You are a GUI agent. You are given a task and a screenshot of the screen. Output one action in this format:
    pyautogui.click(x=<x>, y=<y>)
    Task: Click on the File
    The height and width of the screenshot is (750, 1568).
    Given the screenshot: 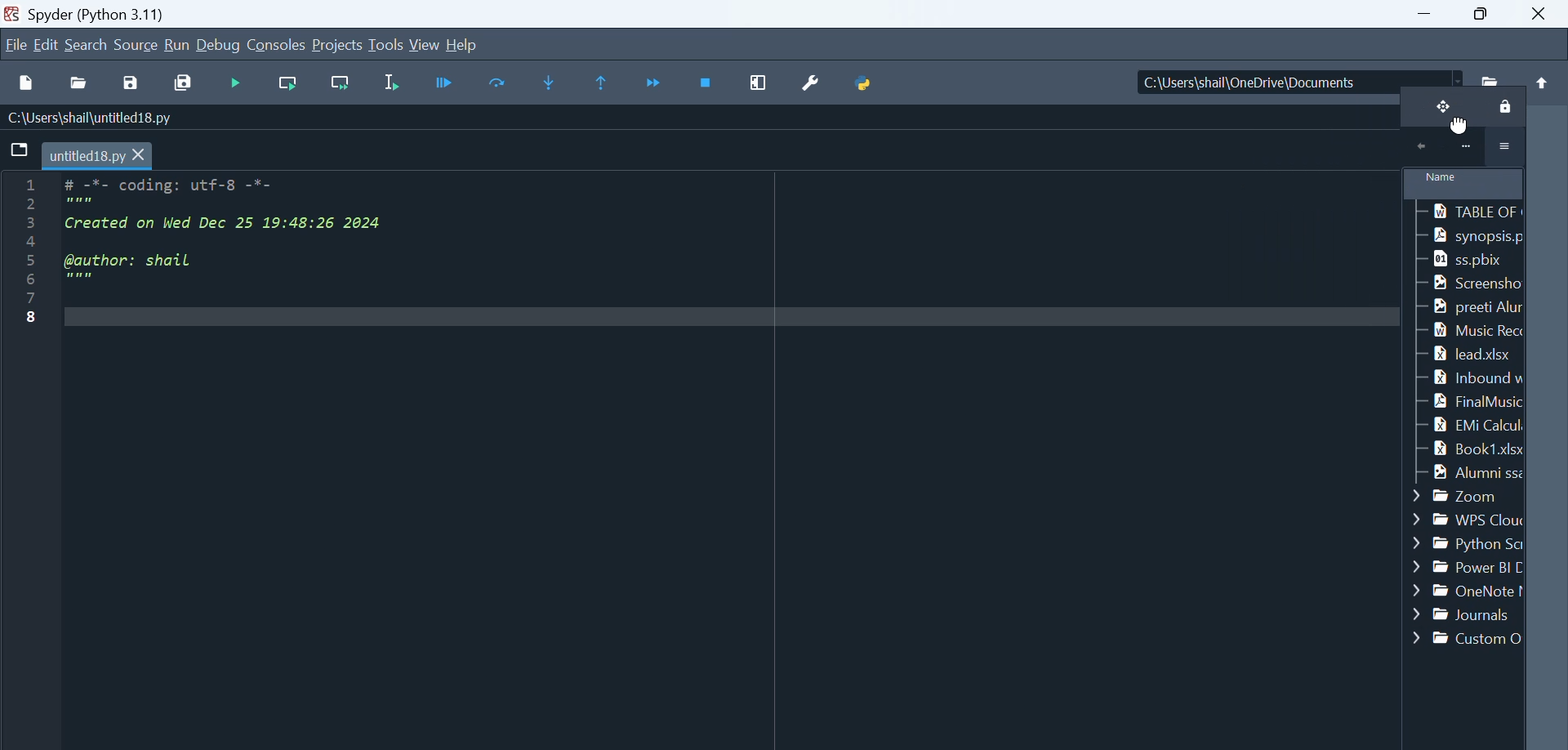 What is the action you would take?
    pyautogui.click(x=16, y=42)
    